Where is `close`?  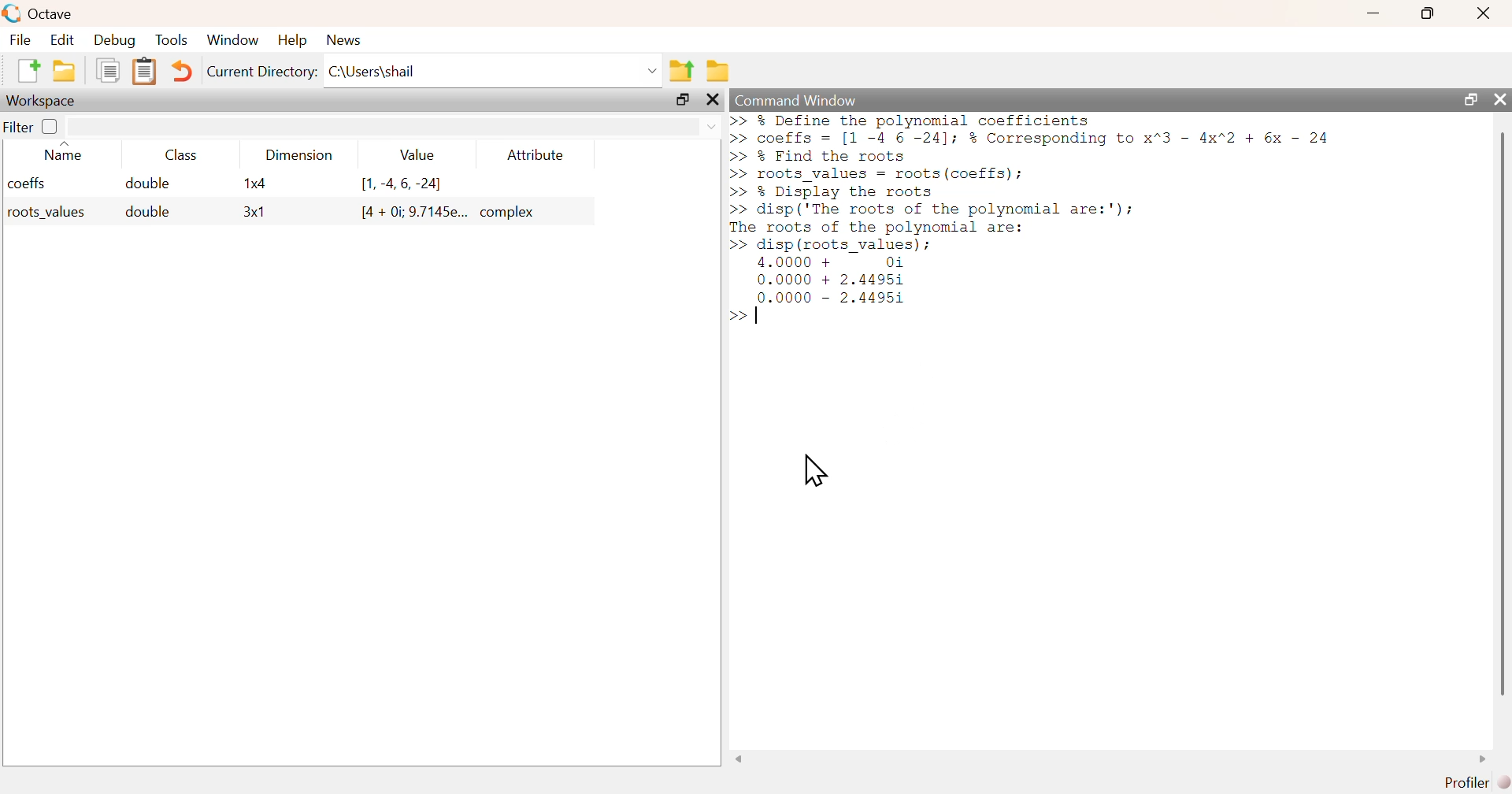 close is located at coordinates (1483, 13).